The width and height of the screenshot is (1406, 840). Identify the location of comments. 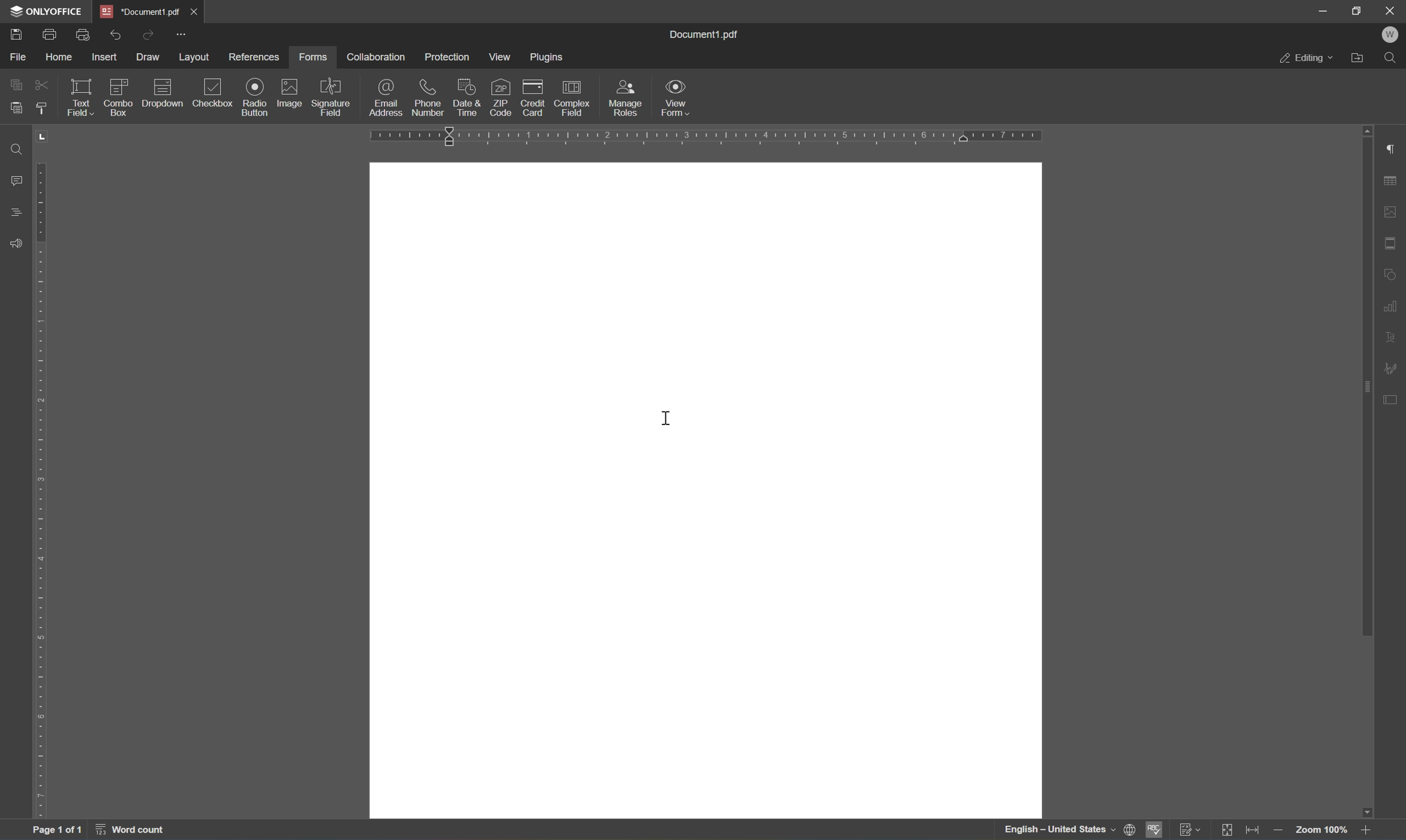
(16, 182).